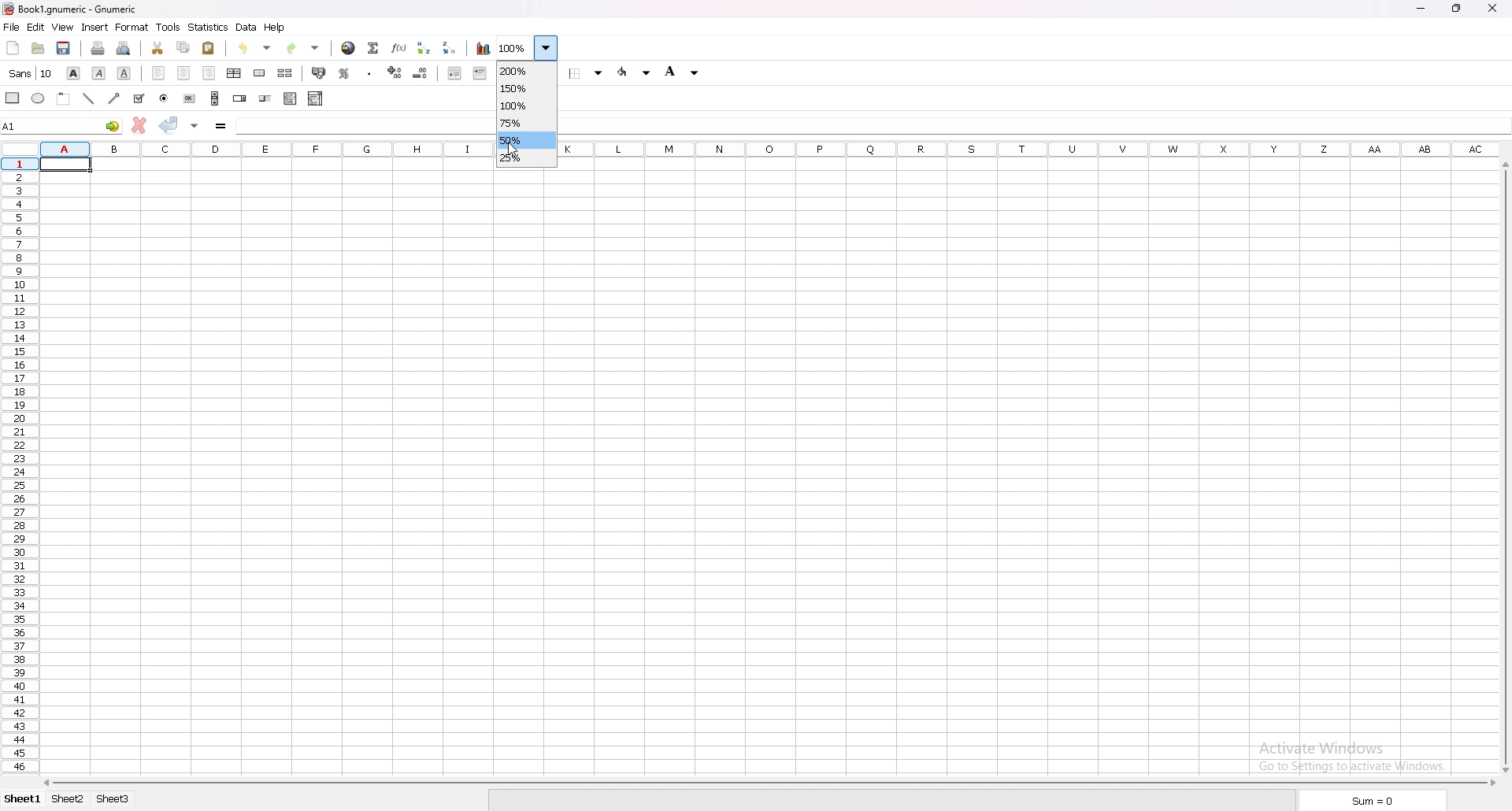 The height and width of the screenshot is (811, 1512). Describe the element at coordinates (209, 47) in the screenshot. I see `paste` at that location.